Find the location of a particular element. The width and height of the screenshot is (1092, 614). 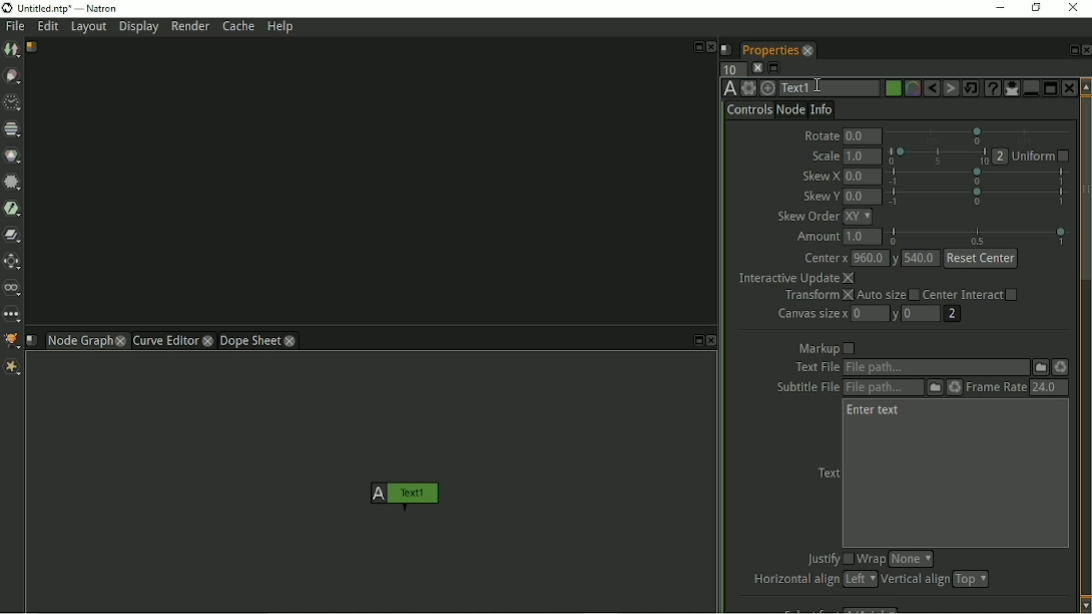

top is located at coordinates (971, 579).